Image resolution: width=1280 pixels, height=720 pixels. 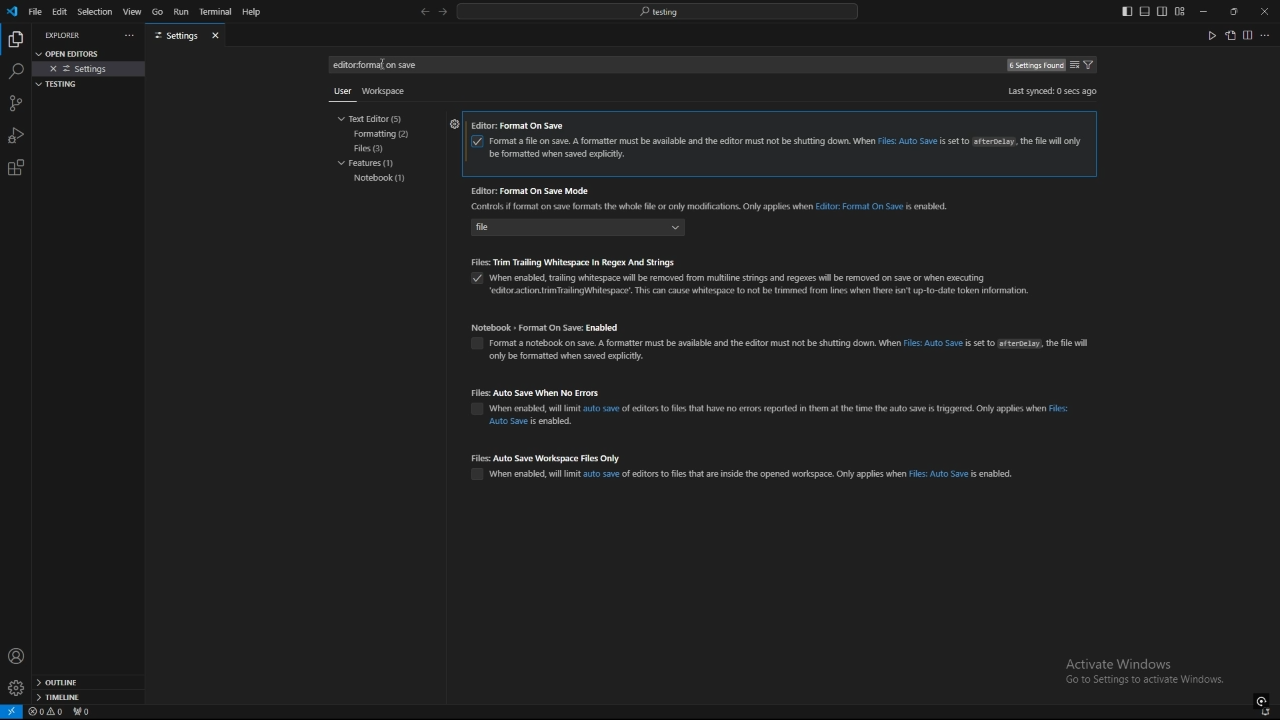 What do you see at coordinates (1153, 11) in the screenshot?
I see `editor layout` at bounding box center [1153, 11].